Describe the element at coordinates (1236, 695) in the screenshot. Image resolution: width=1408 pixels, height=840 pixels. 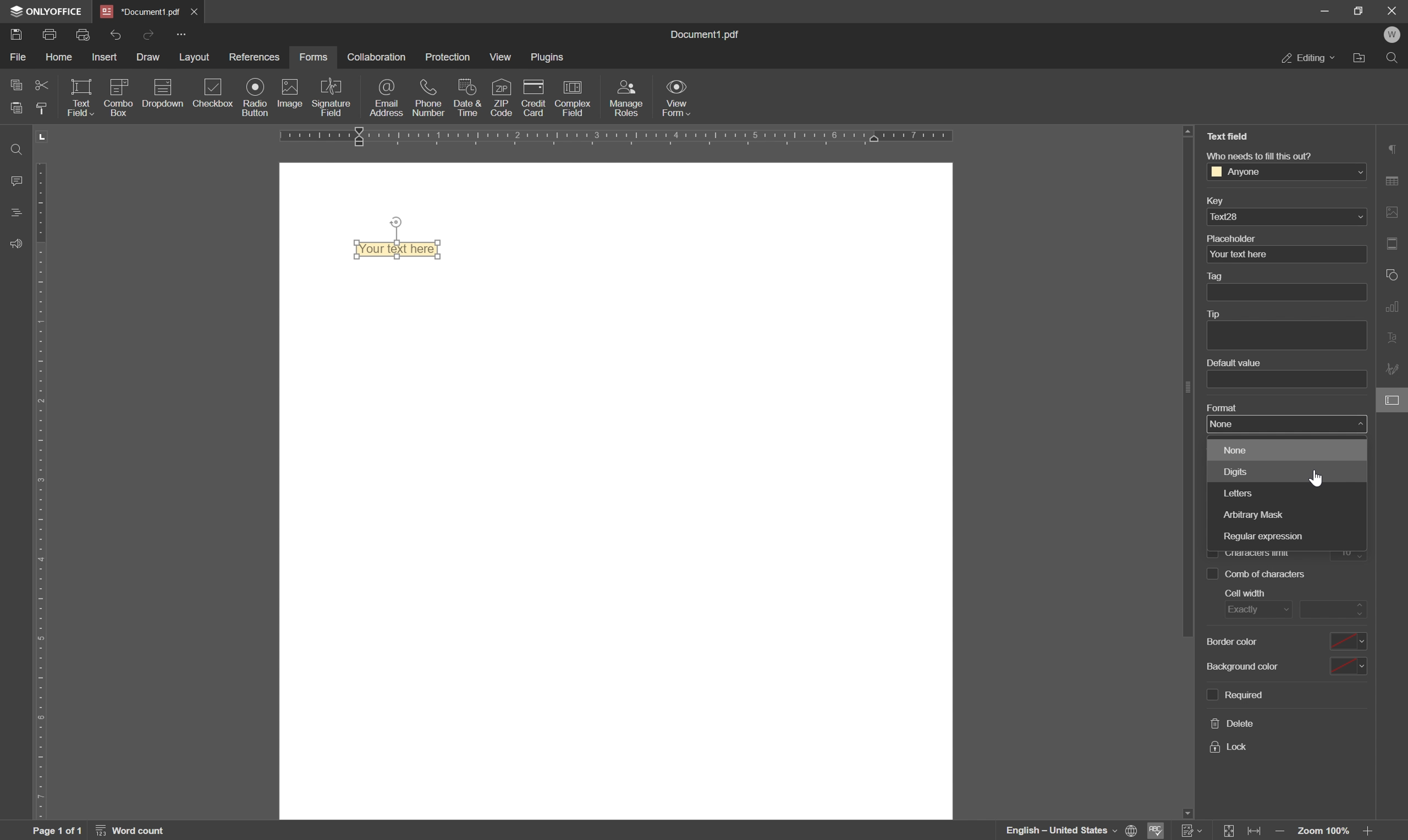
I see `required` at that location.